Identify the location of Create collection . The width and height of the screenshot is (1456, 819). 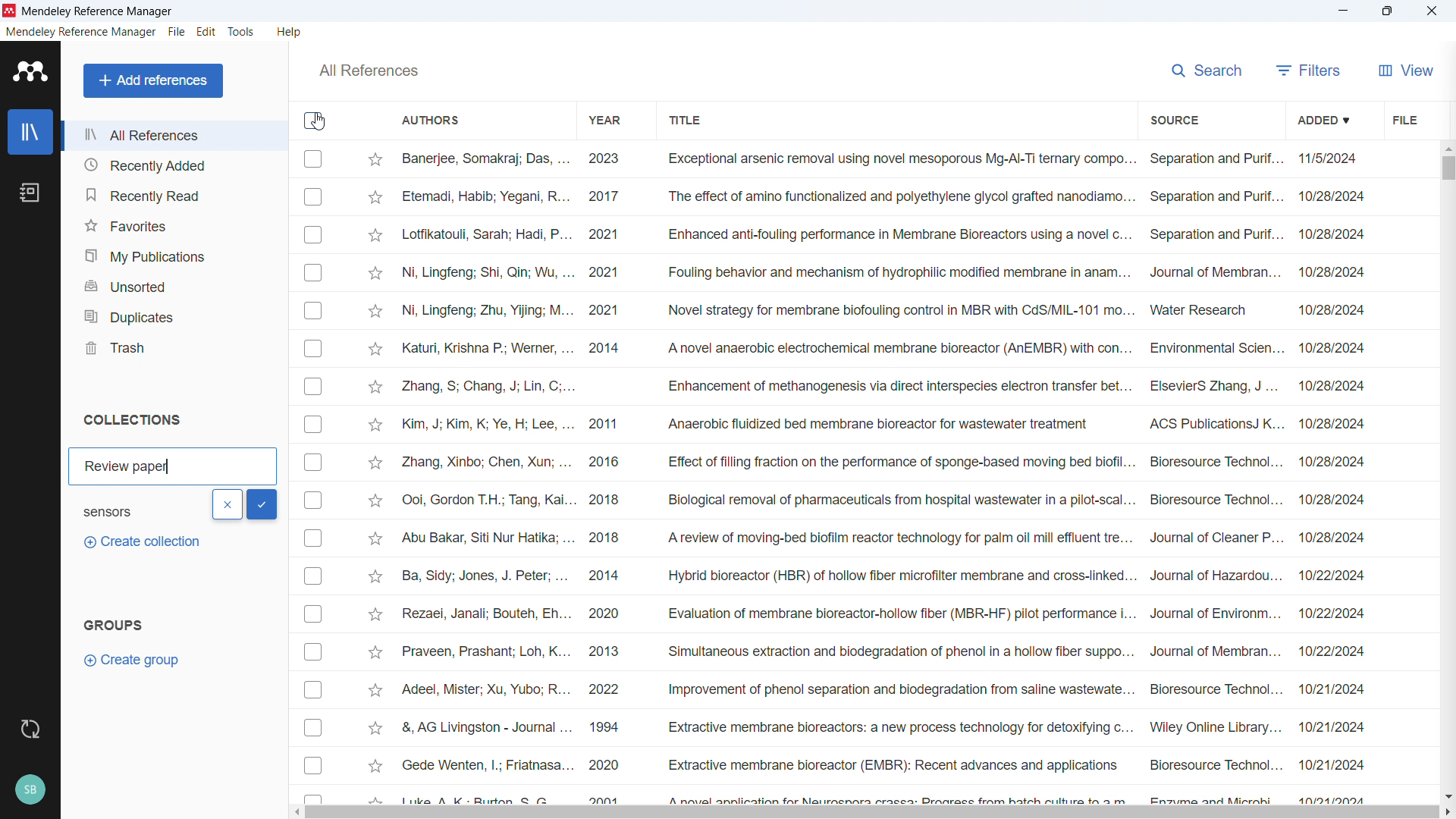
(140, 542).